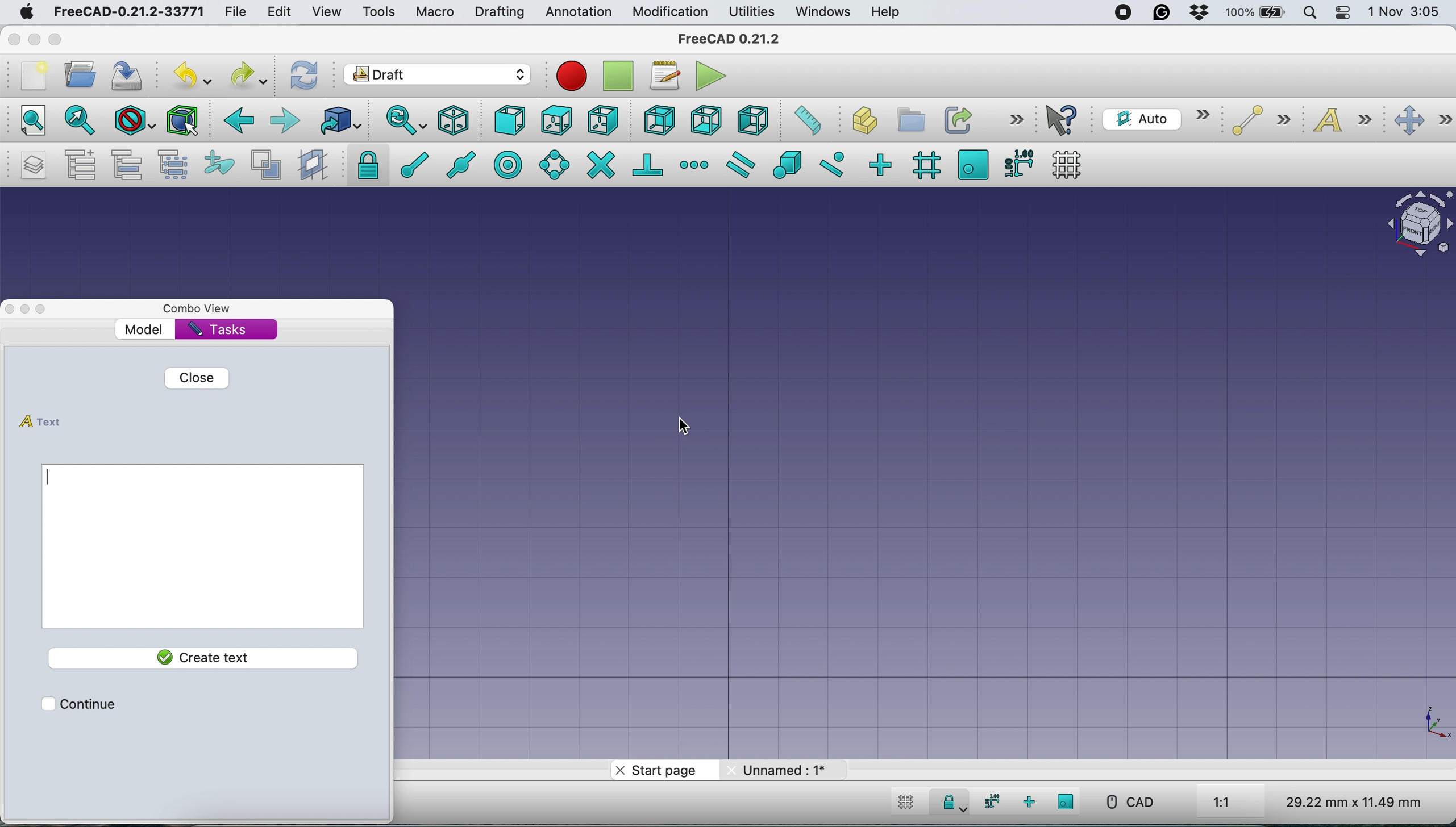 Image resolution: width=1456 pixels, height=827 pixels. What do you see at coordinates (134, 122) in the screenshot?
I see `draw style` at bounding box center [134, 122].